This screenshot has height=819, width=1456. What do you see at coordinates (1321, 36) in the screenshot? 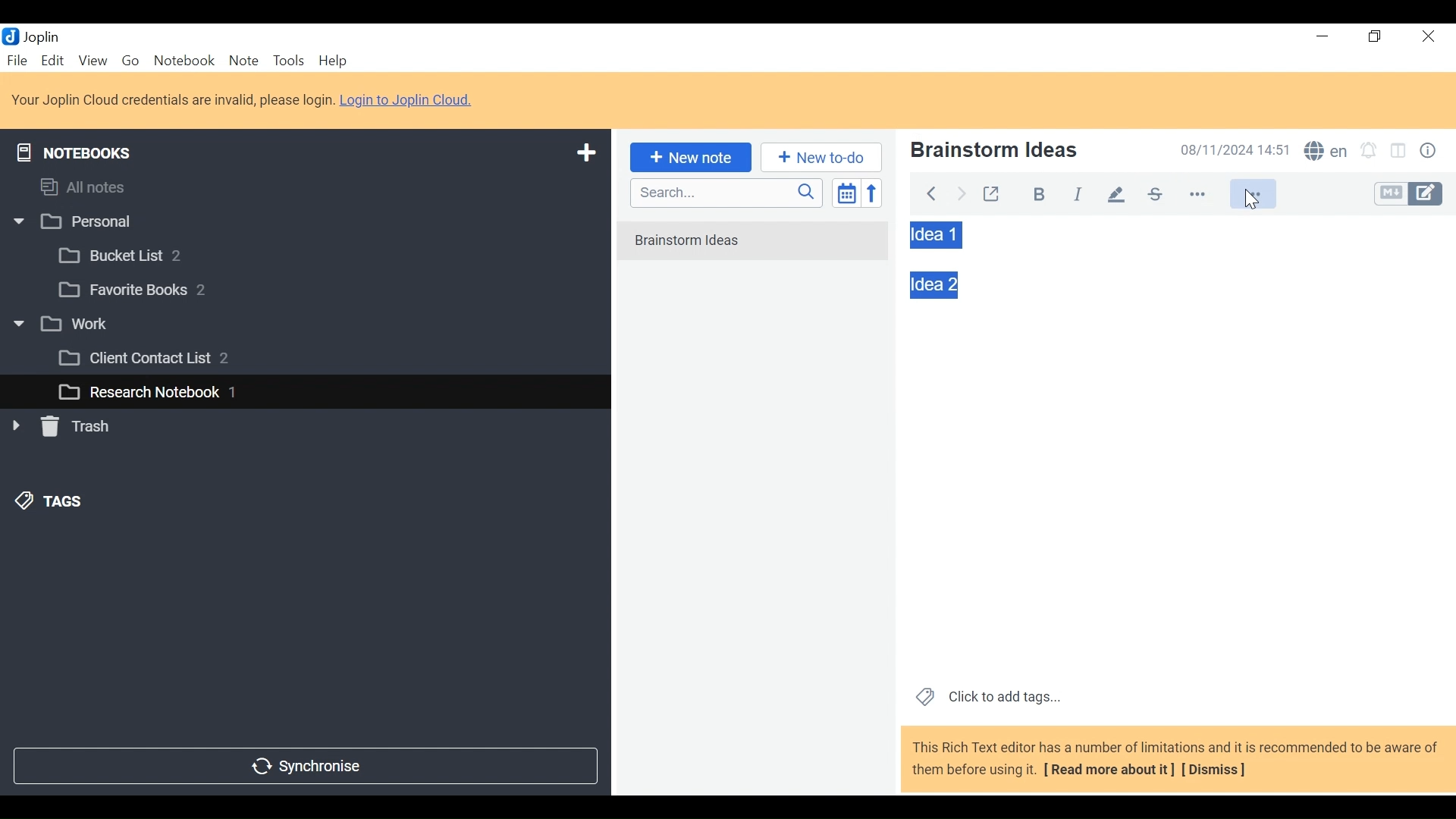
I see `Minimize` at bounding box center [1321, 36].